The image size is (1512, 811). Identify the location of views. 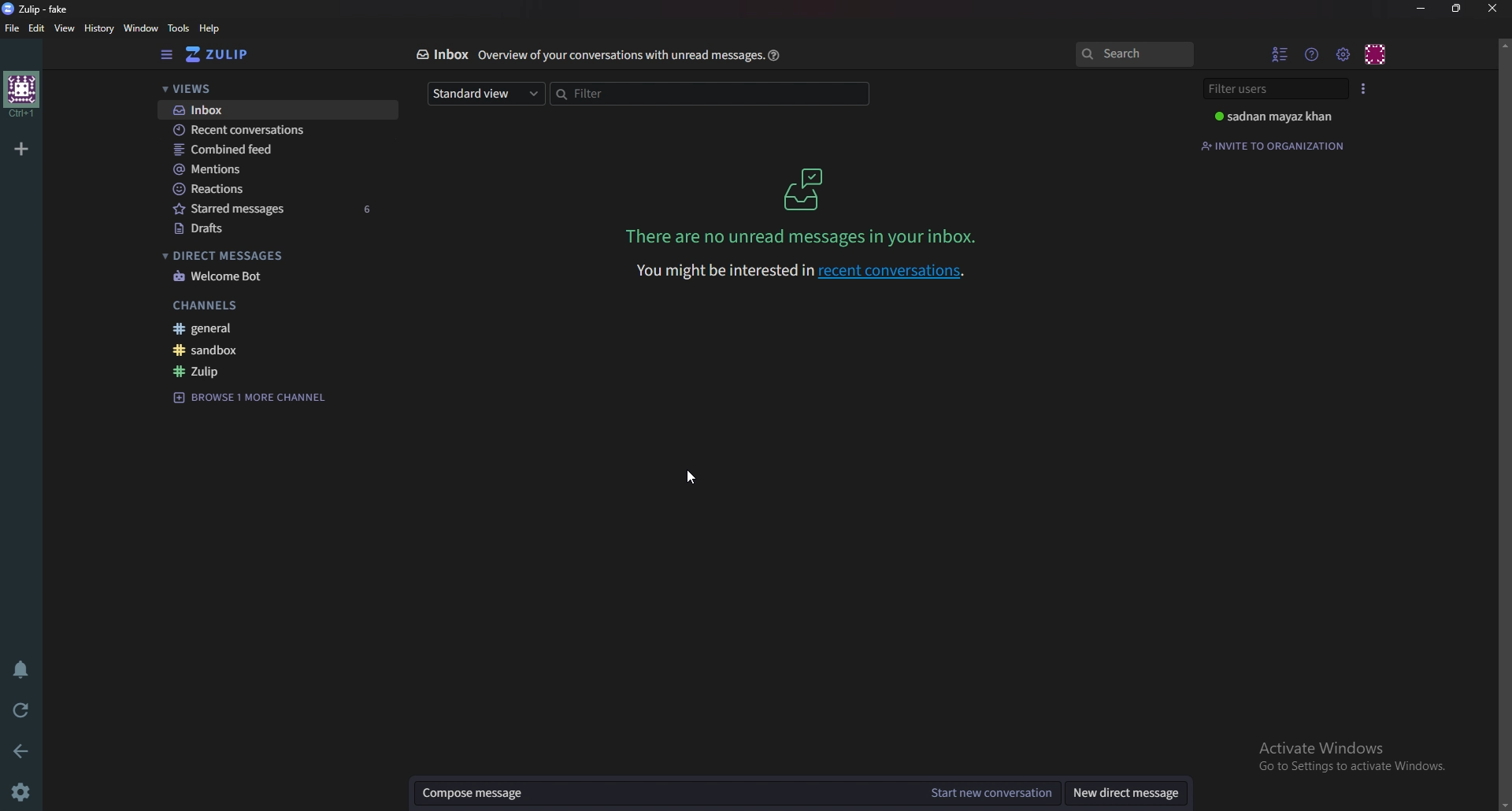
(270, 88).